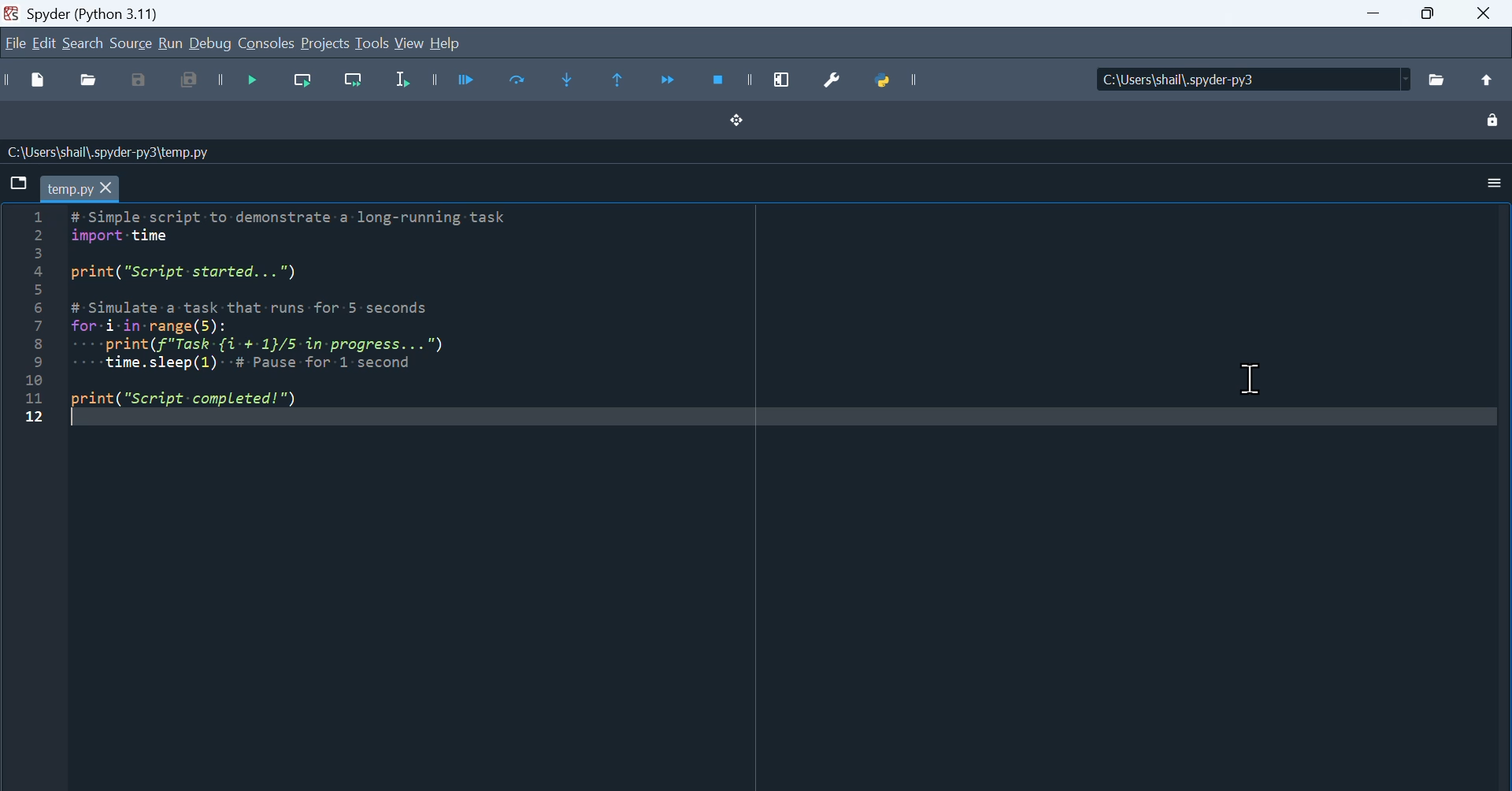  Describe the element at coordinates (17, 183) in the screenshot. I see `Browse Tabs` at that location.